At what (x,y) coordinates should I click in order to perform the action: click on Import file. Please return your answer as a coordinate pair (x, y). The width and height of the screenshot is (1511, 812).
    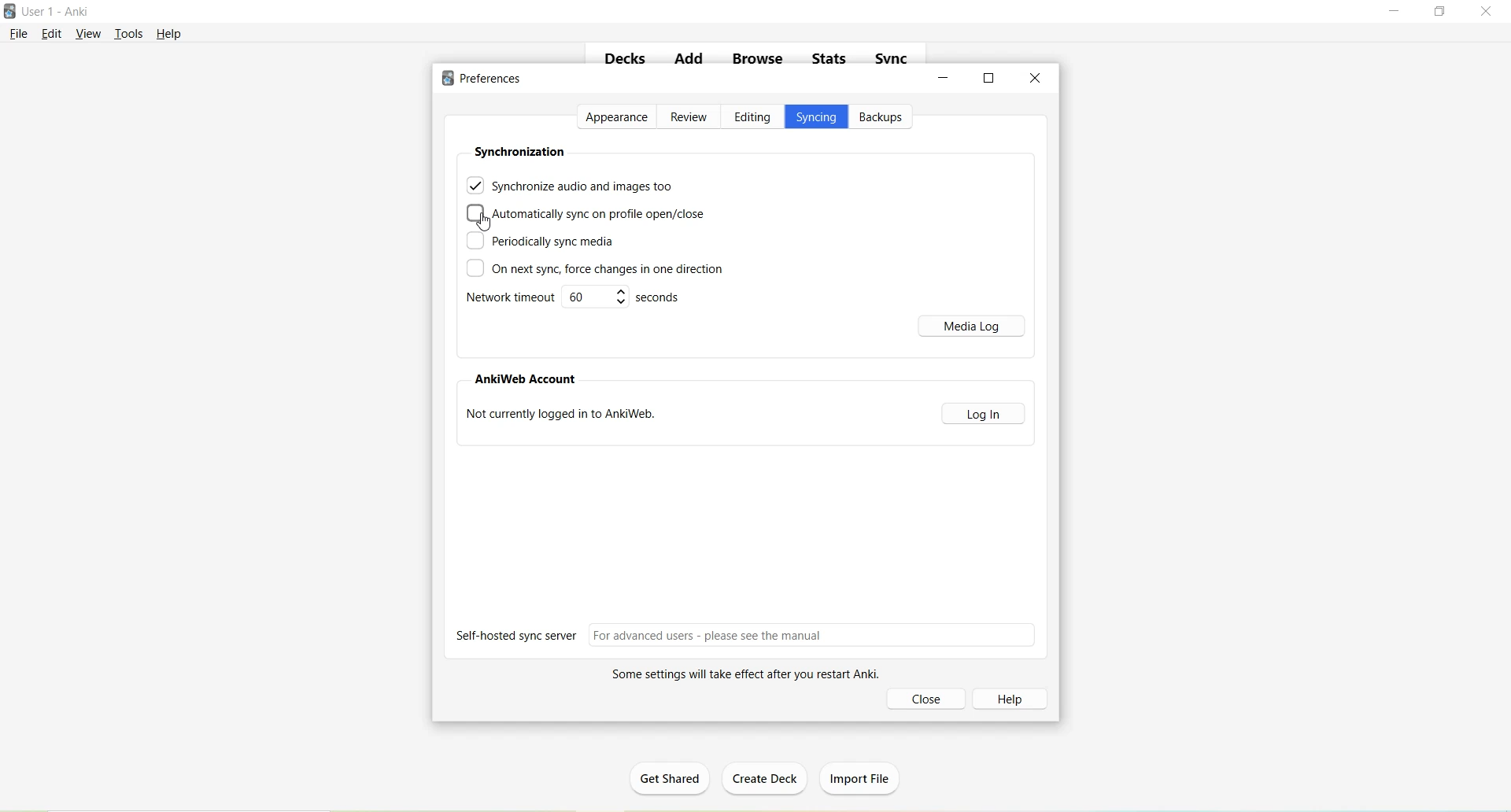
    Looking at the image, I should click on (863, 776).